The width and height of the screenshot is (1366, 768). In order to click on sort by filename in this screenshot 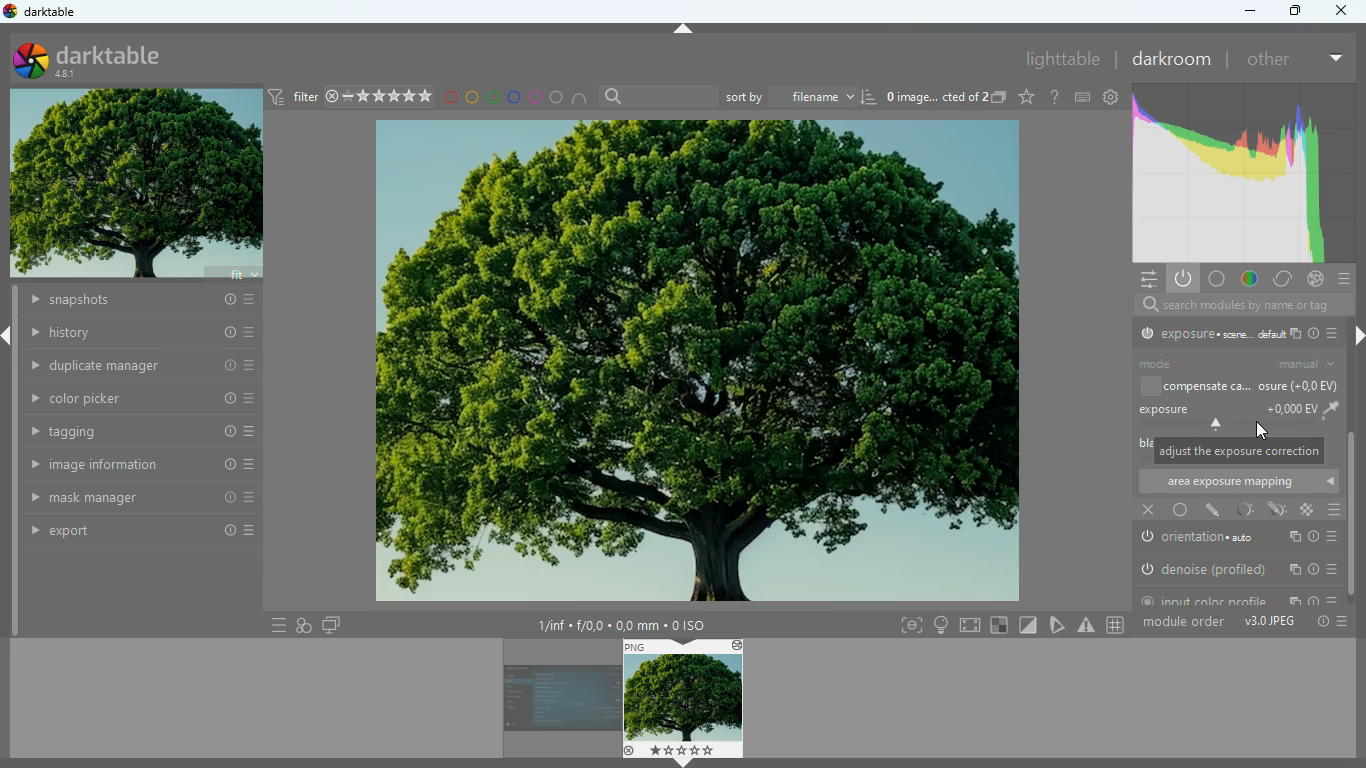, I will do `click(799, 95)`.